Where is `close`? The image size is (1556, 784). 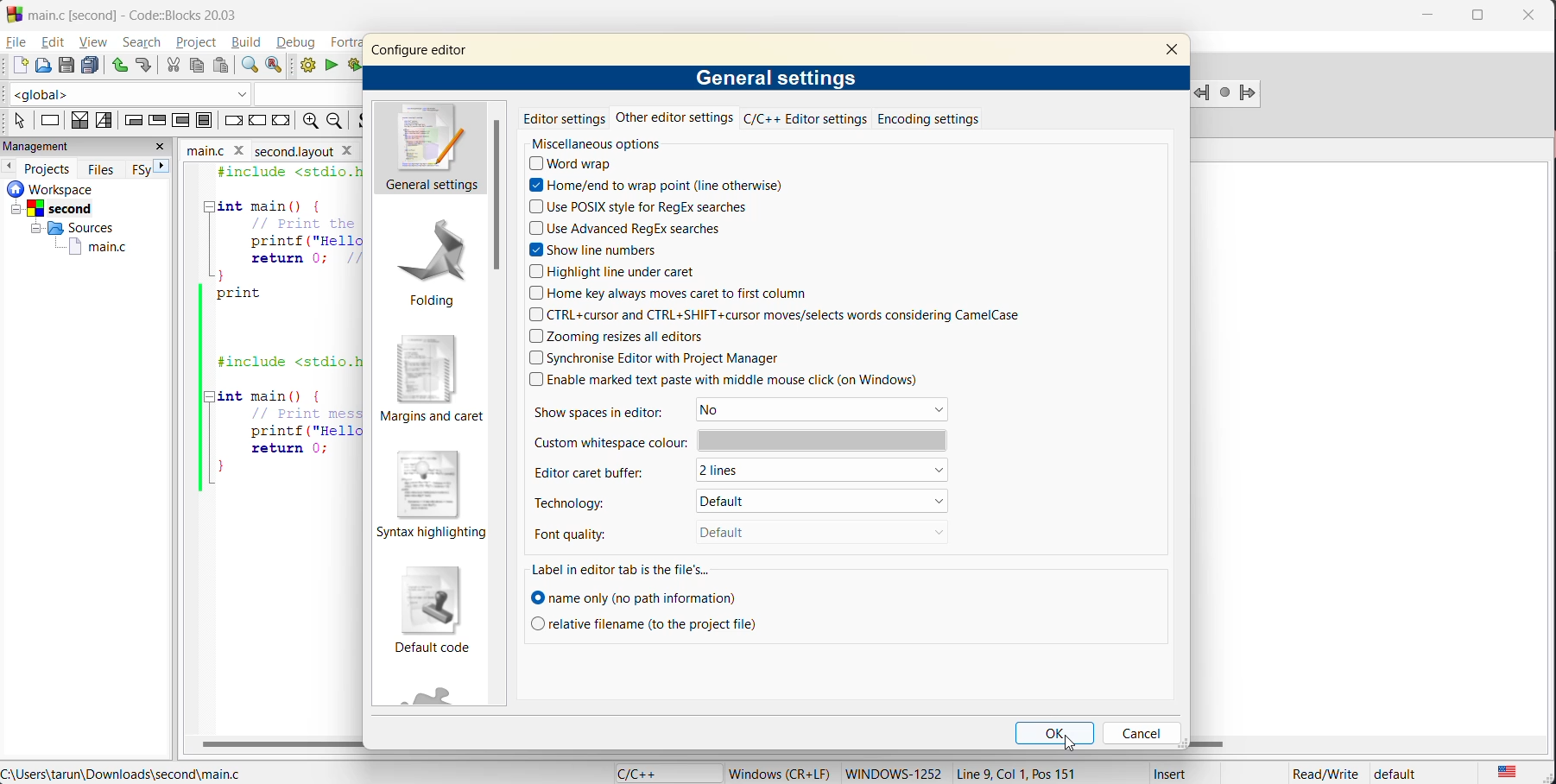
close is located at coordinates (1534, 15).